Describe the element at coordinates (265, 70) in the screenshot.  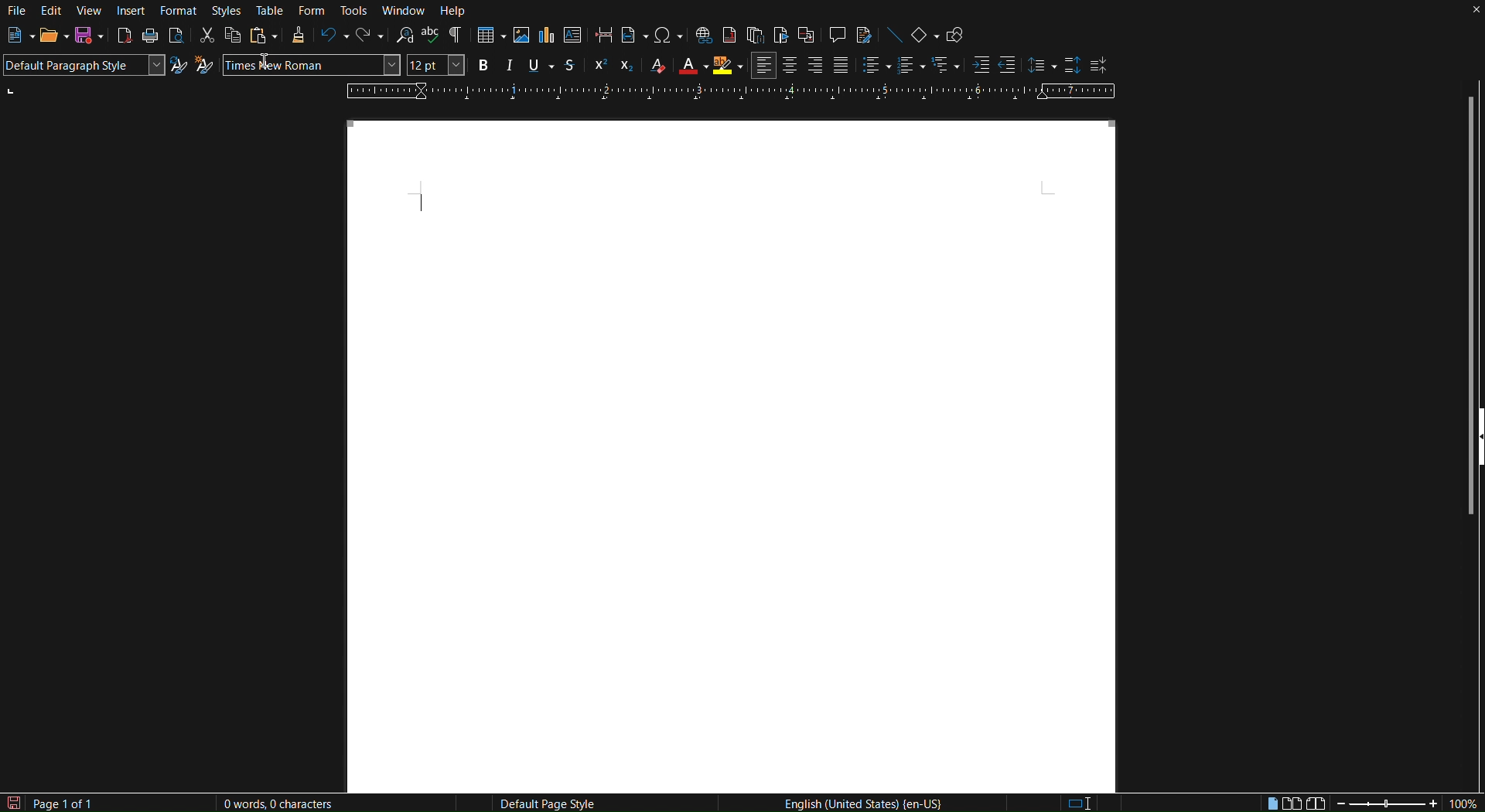
I see `Cursor` at that location.